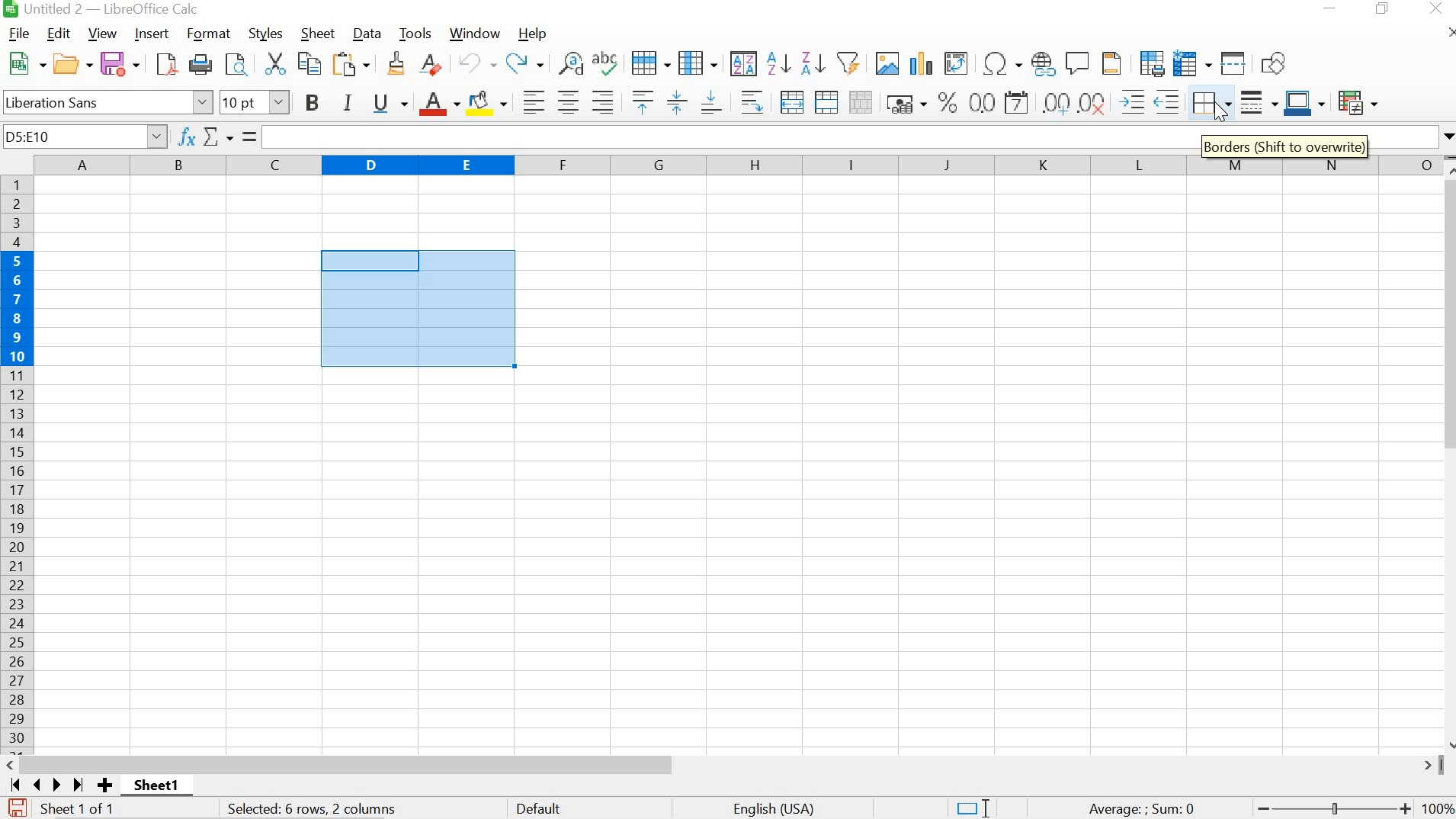 The image size is (1456, 819). What do you see at coordinates (1057, 103) in the screenshot?
I see `ADD decimal place` at bounding box center [1057, 103].